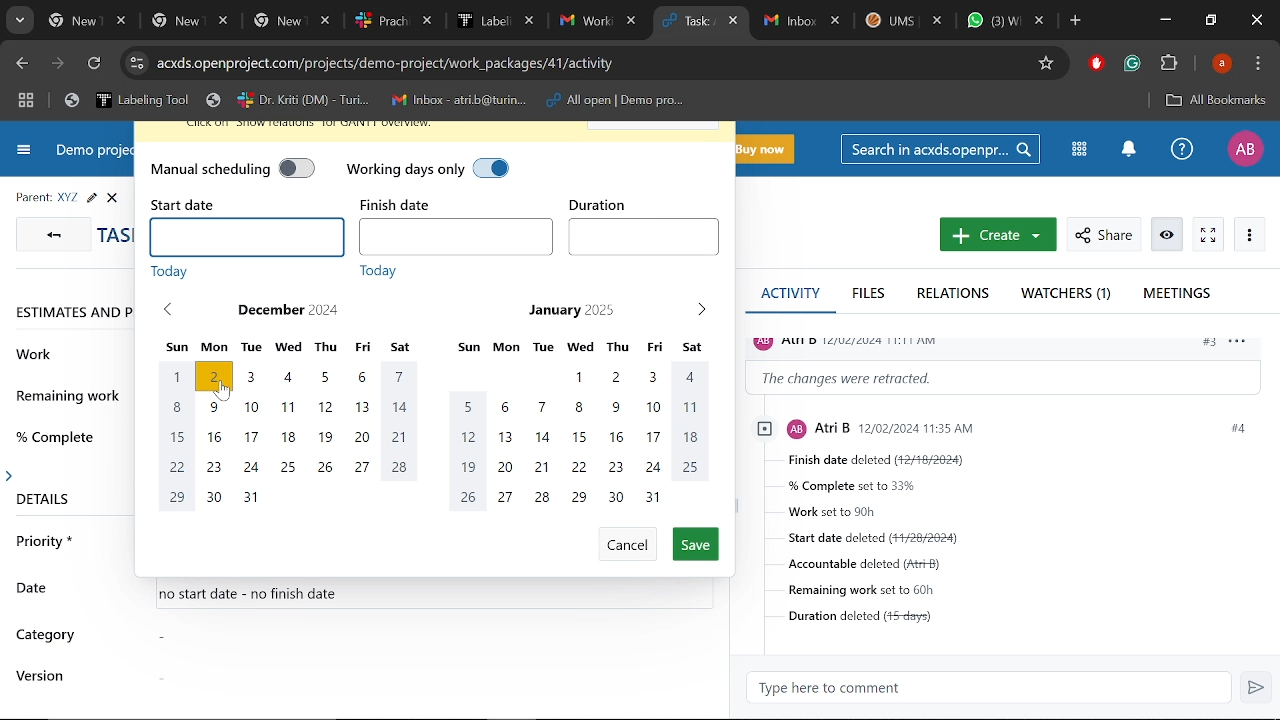 The image size is (1280, 720). What do you see at coordinates (1248, 233) in the screenshot?
I see `More` at bounding box center [1248, 233].